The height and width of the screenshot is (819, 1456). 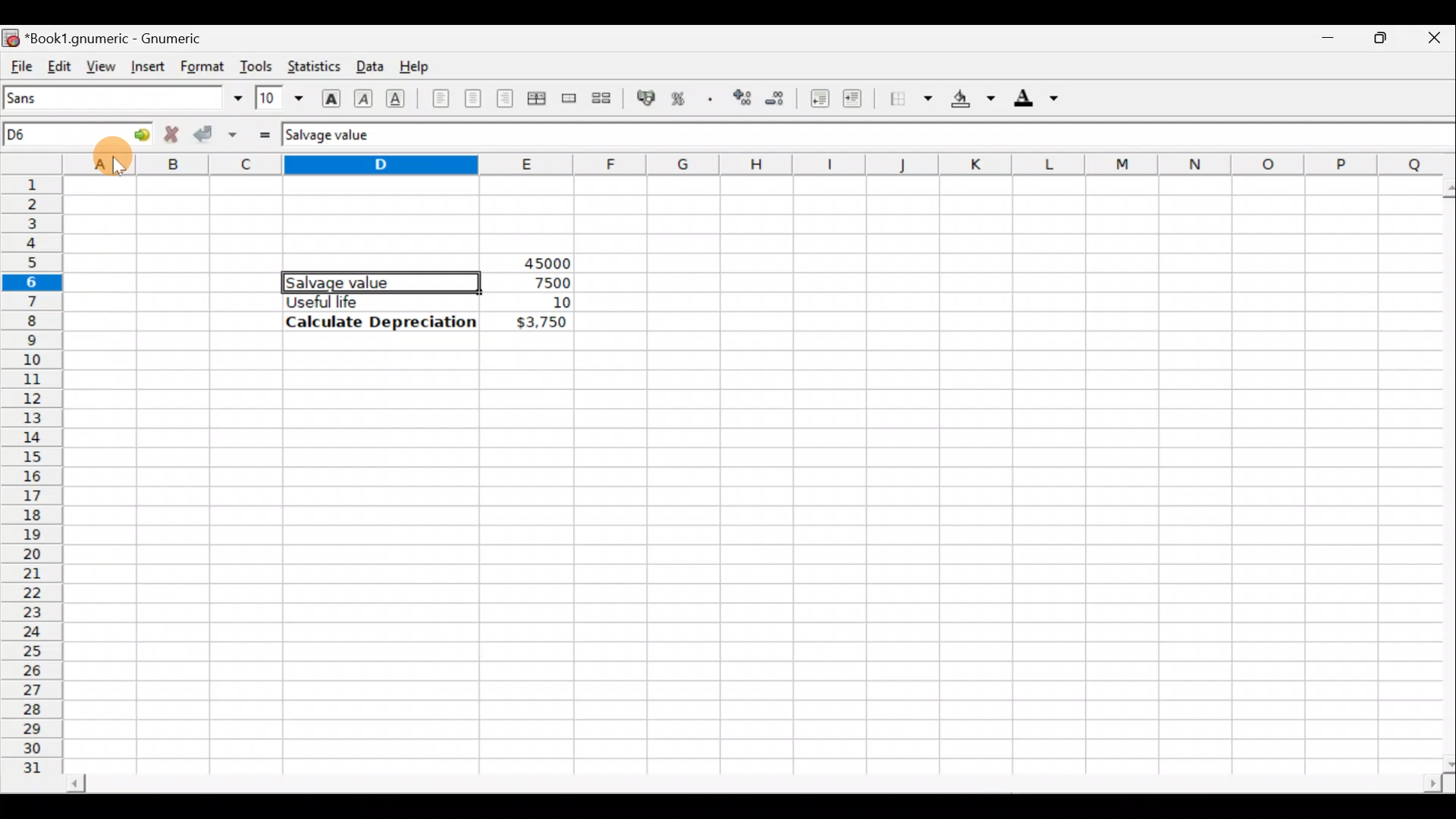 What do you see at coordinates (540, 323) in the screenshot?
I see `$3,750` at bounding box center [540, 323].